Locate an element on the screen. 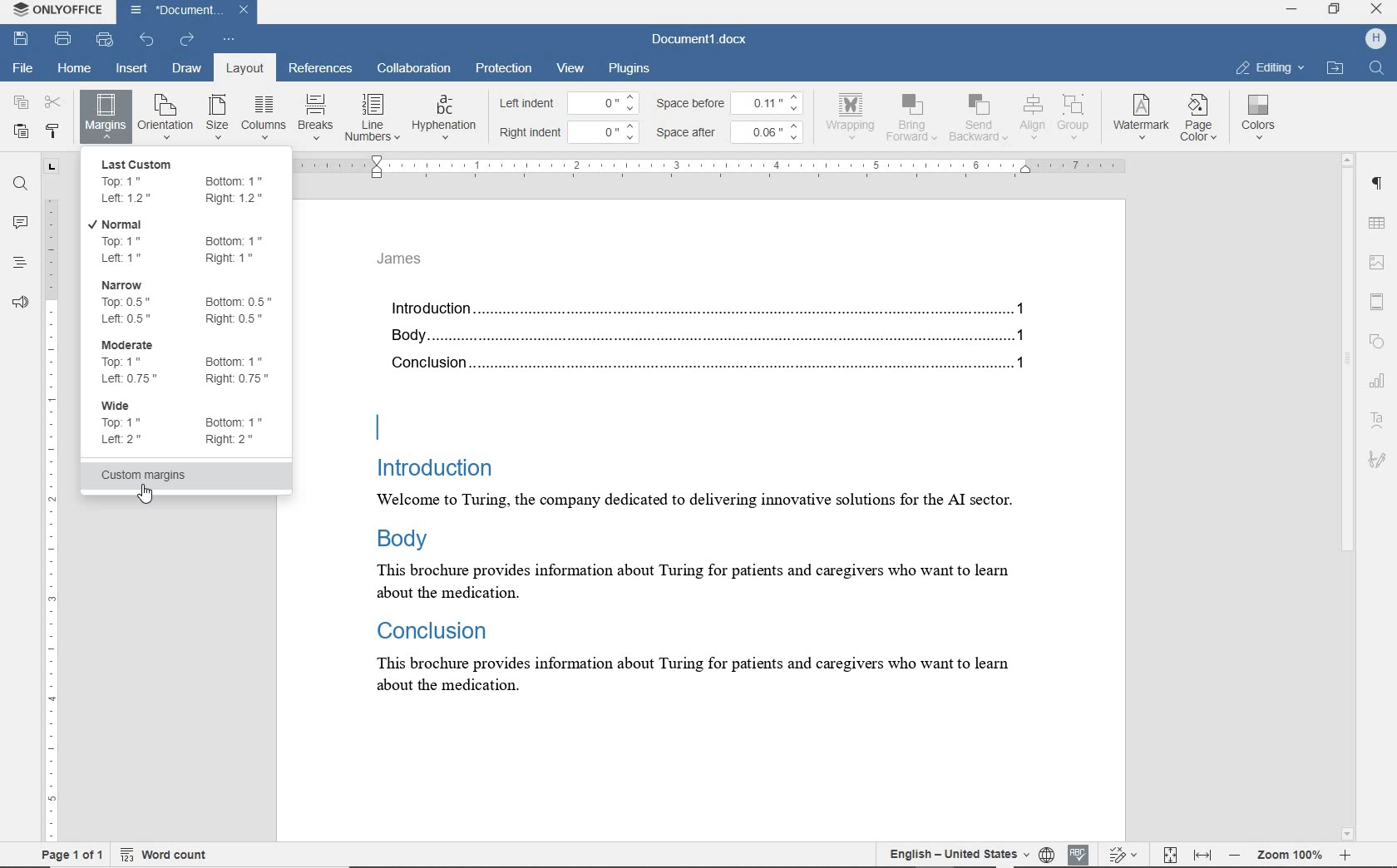  copy is located at coordinates (22, 101).